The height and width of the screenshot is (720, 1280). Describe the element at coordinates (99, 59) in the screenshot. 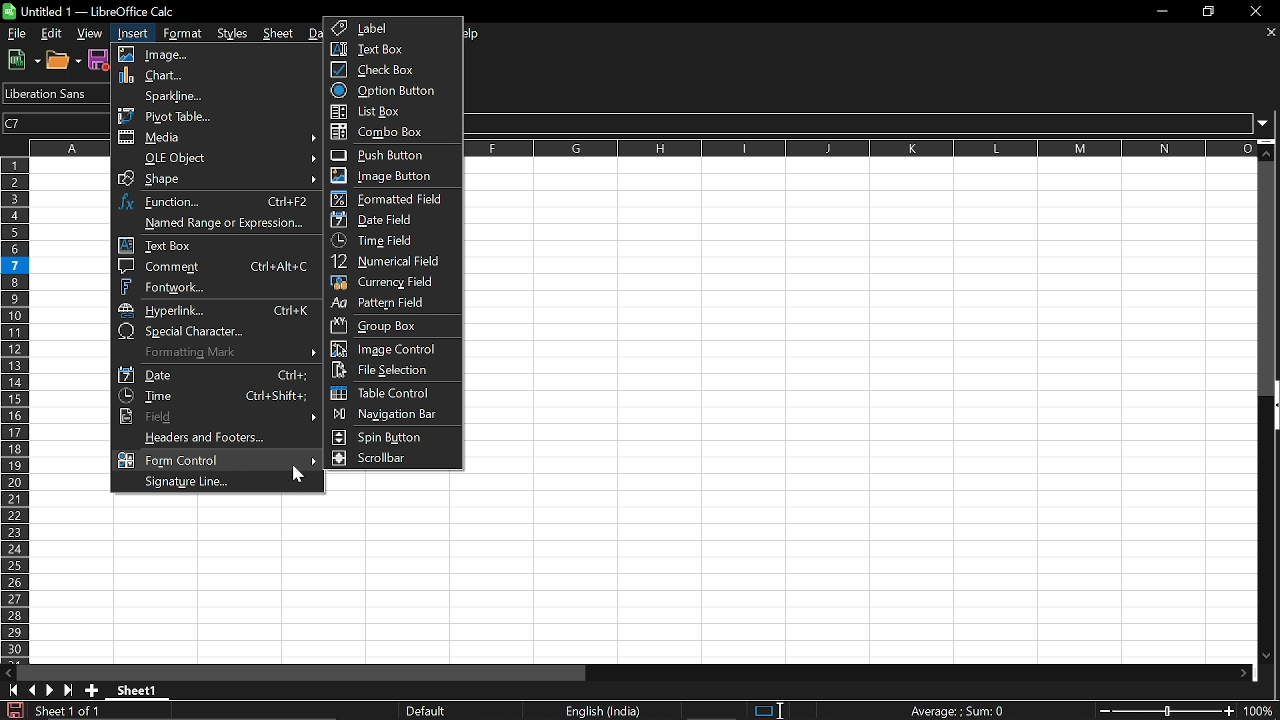

I see `Save` at that location.